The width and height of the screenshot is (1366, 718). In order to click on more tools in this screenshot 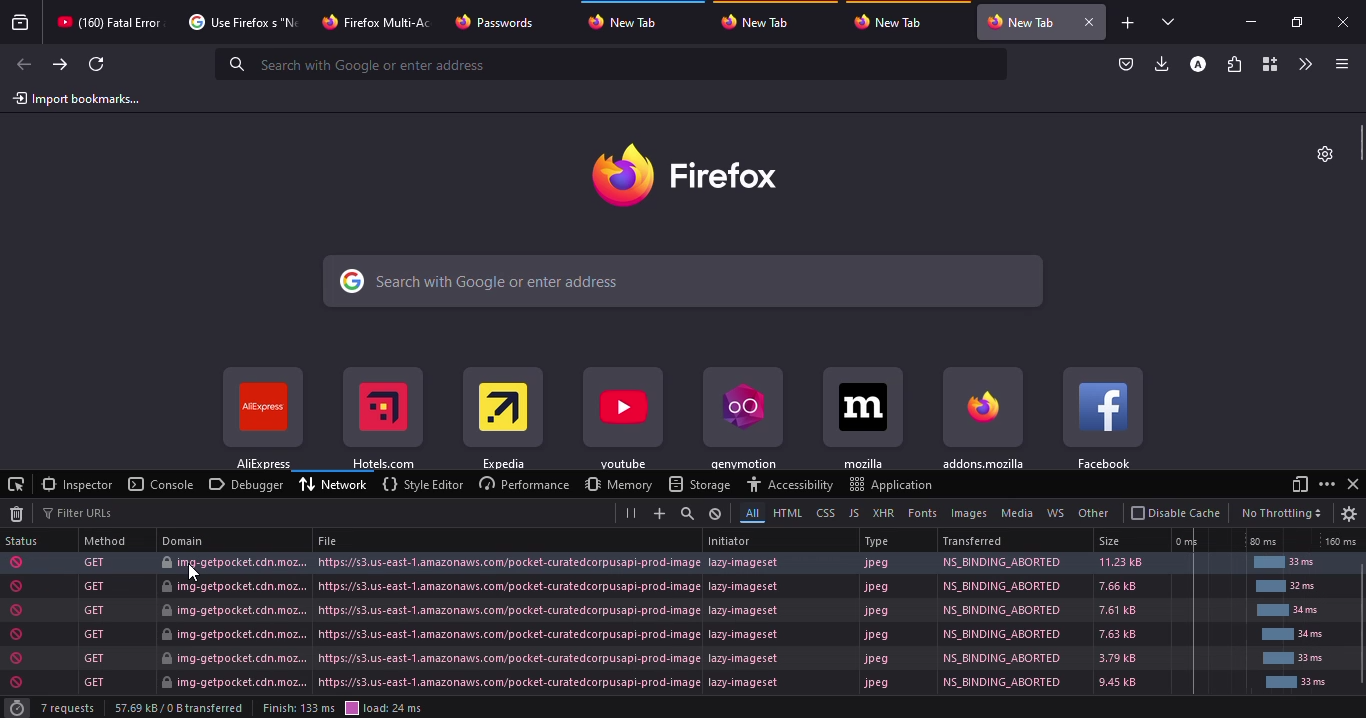, I will do `click(1303, 65)`.